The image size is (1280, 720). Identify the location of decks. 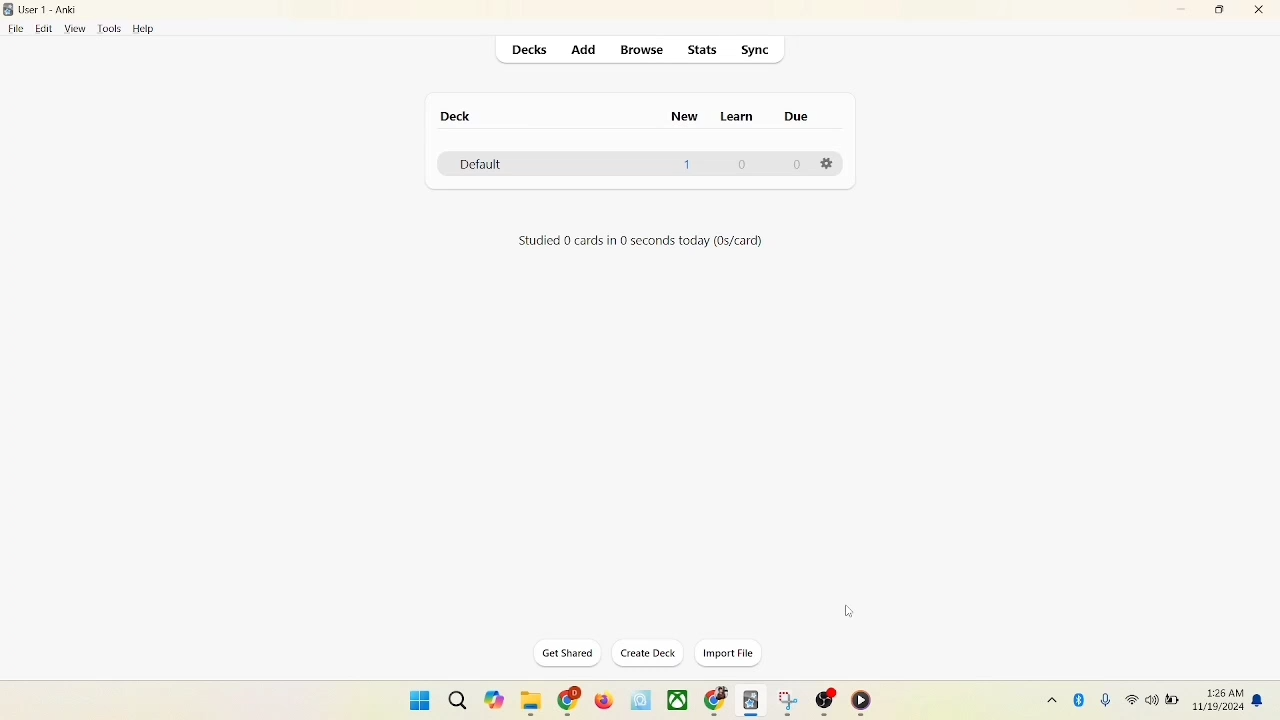
(531, 50).